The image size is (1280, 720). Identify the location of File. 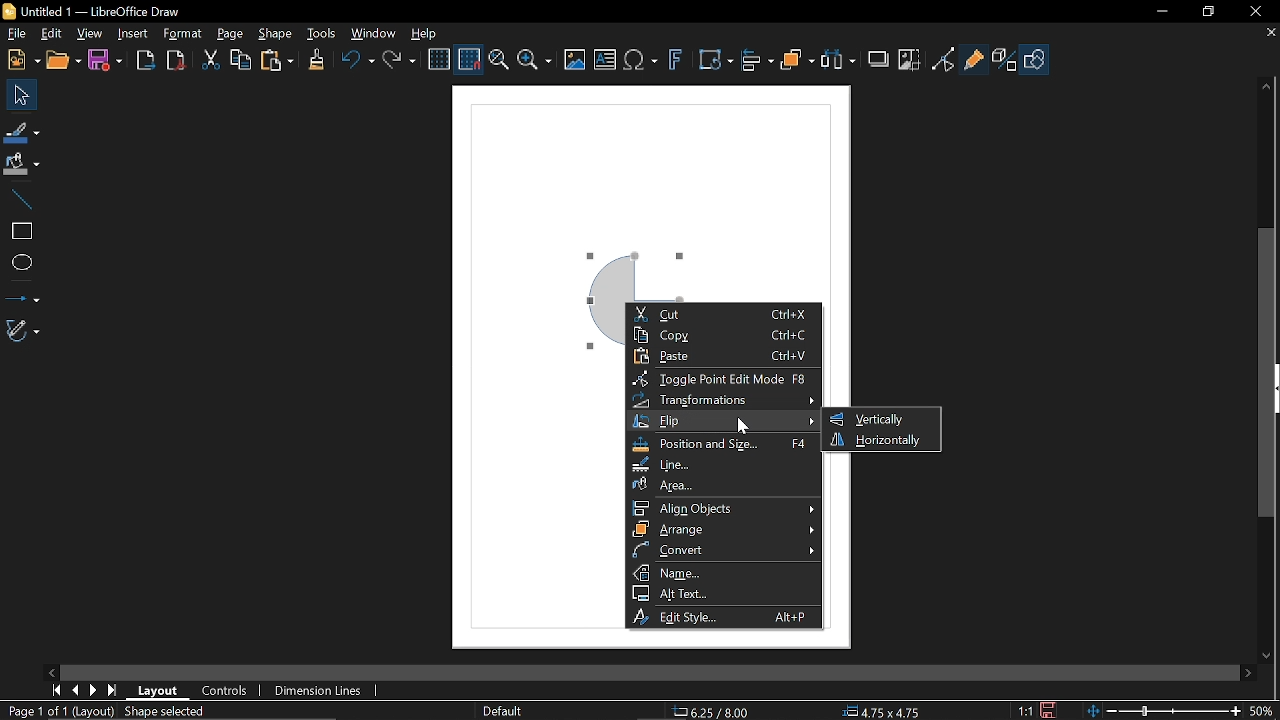
(14, 35).